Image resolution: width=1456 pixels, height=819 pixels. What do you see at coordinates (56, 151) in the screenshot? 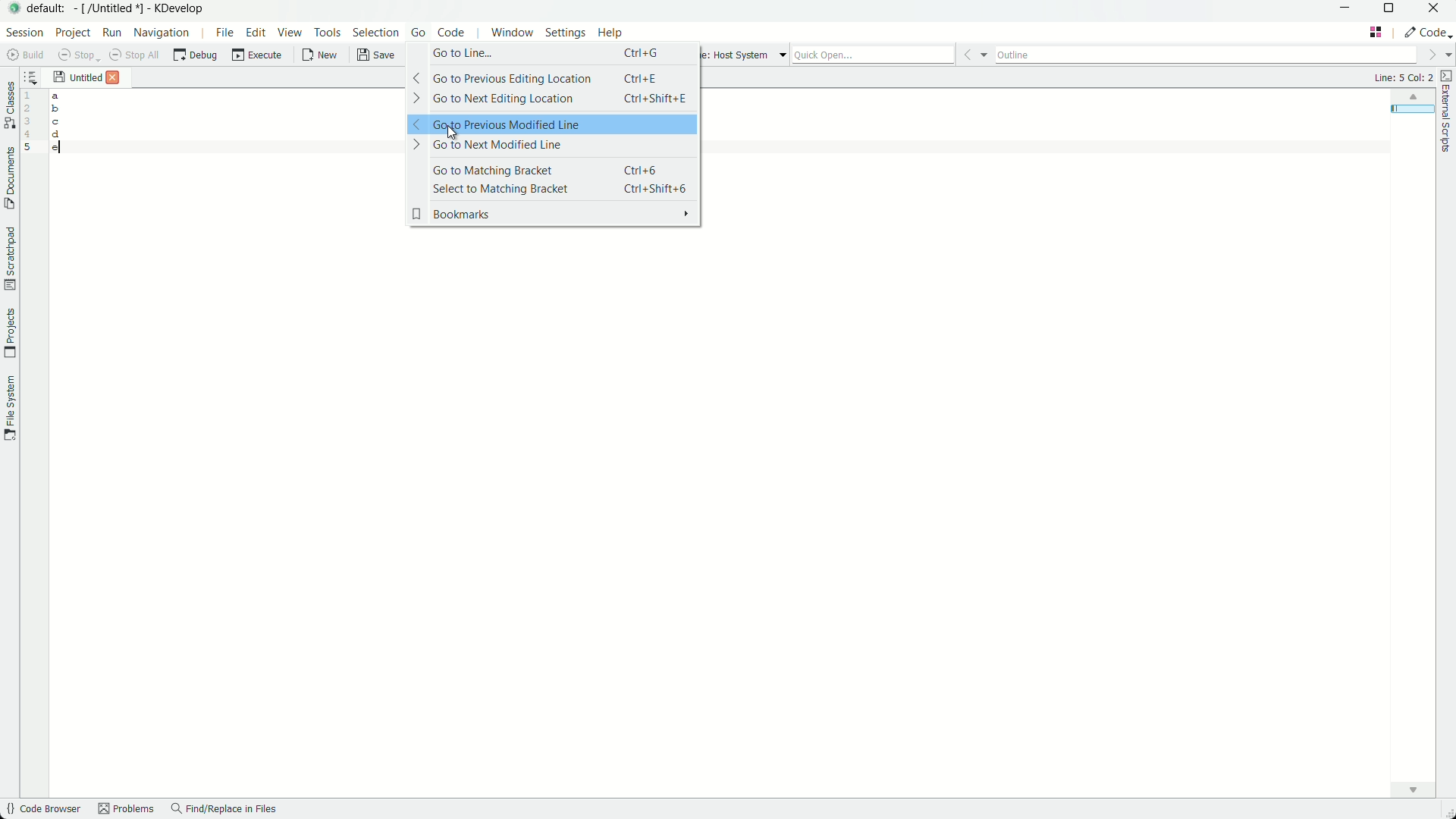
I see `e` at bounding box center [56, 151].